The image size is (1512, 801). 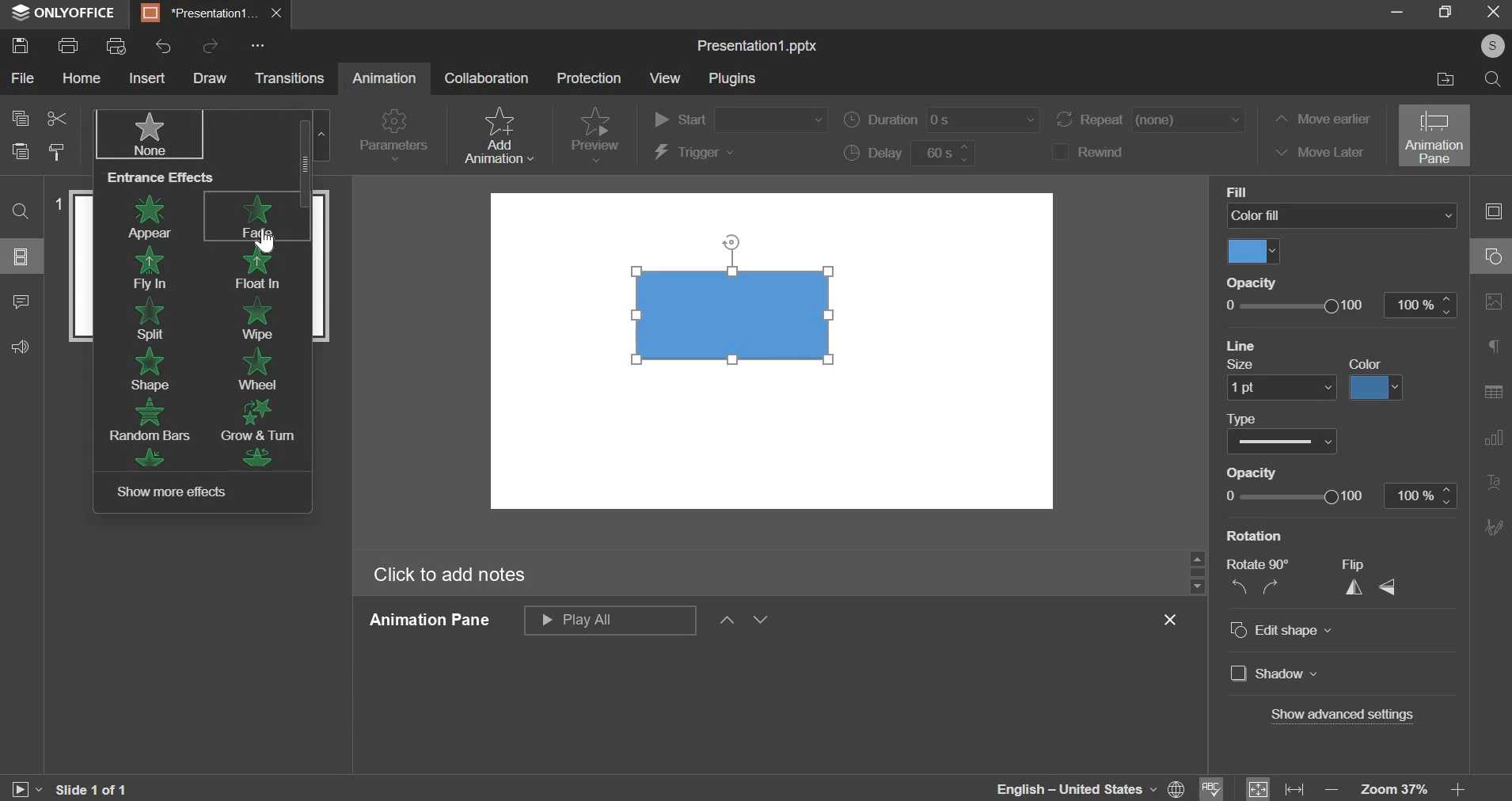 What do you see at coordinates (24, 211) in the screenshot?
I see `search` at bounding box center [24, 211].